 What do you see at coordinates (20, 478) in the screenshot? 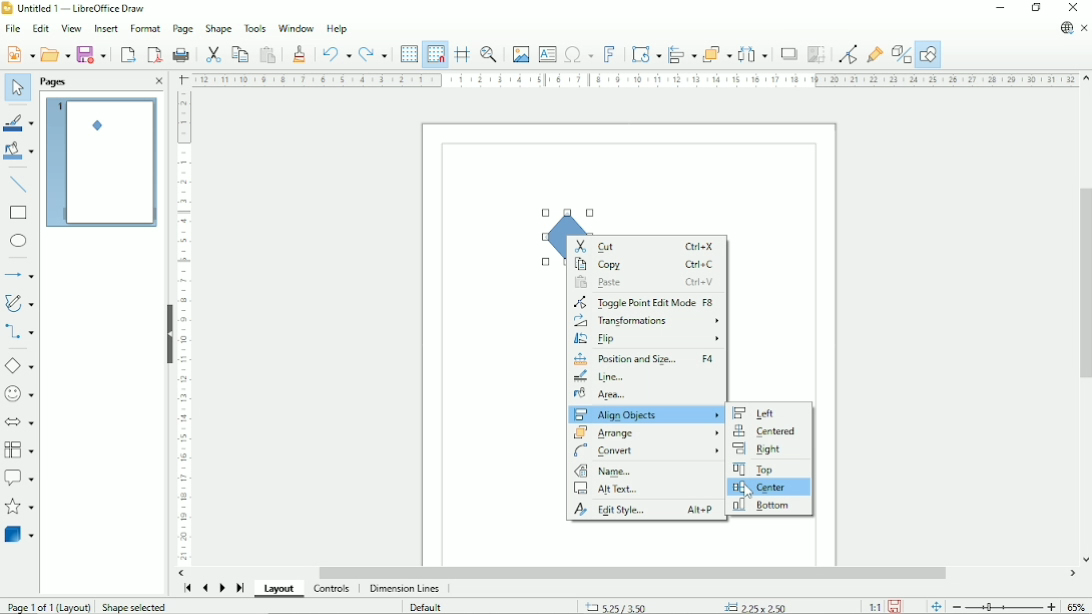
I see `Callout shapes` at bounding box center [20, 478].